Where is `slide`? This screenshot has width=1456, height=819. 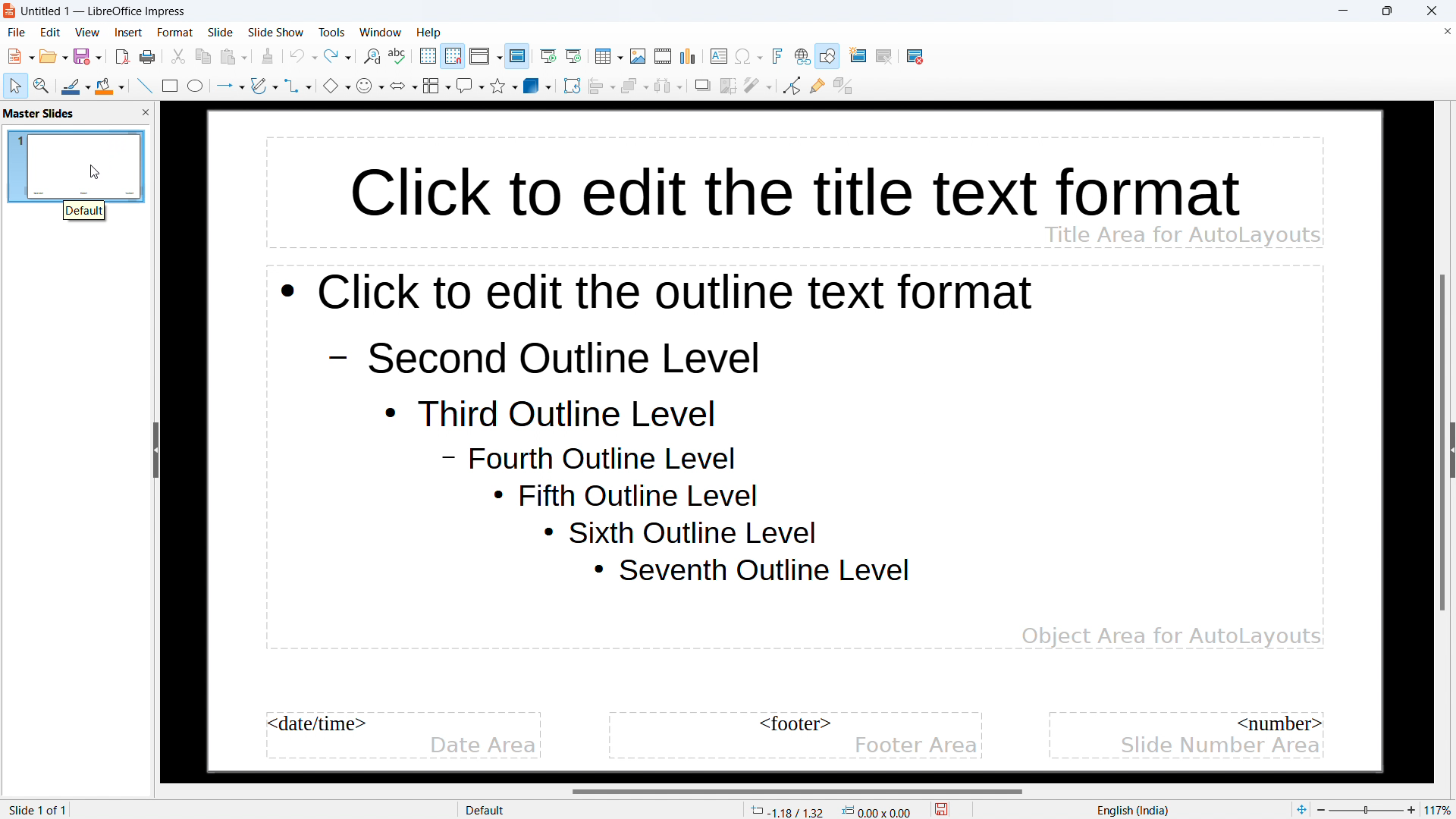 slide is located at coordinates (220, 32).